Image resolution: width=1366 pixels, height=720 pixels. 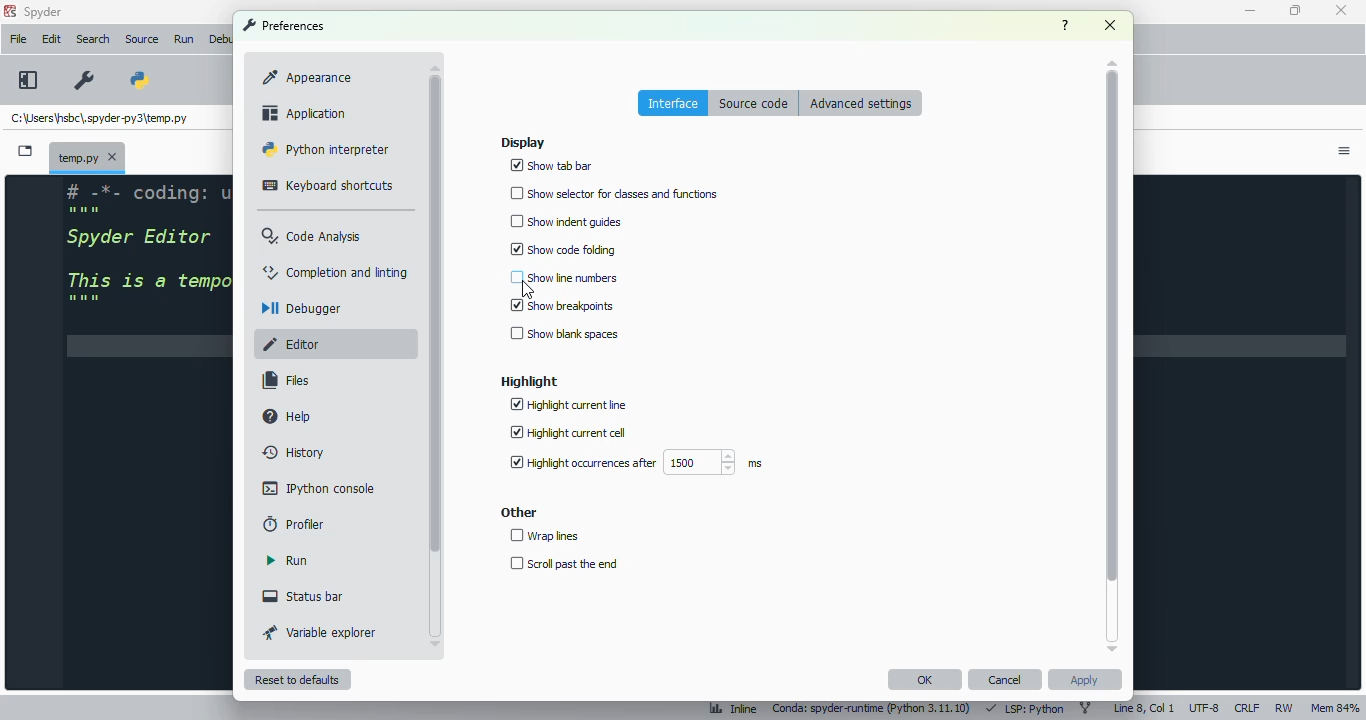 What do you see at coordinates (336, 272) in the screenshot?
I see `completion and linting` at bounding box center [336, 272].